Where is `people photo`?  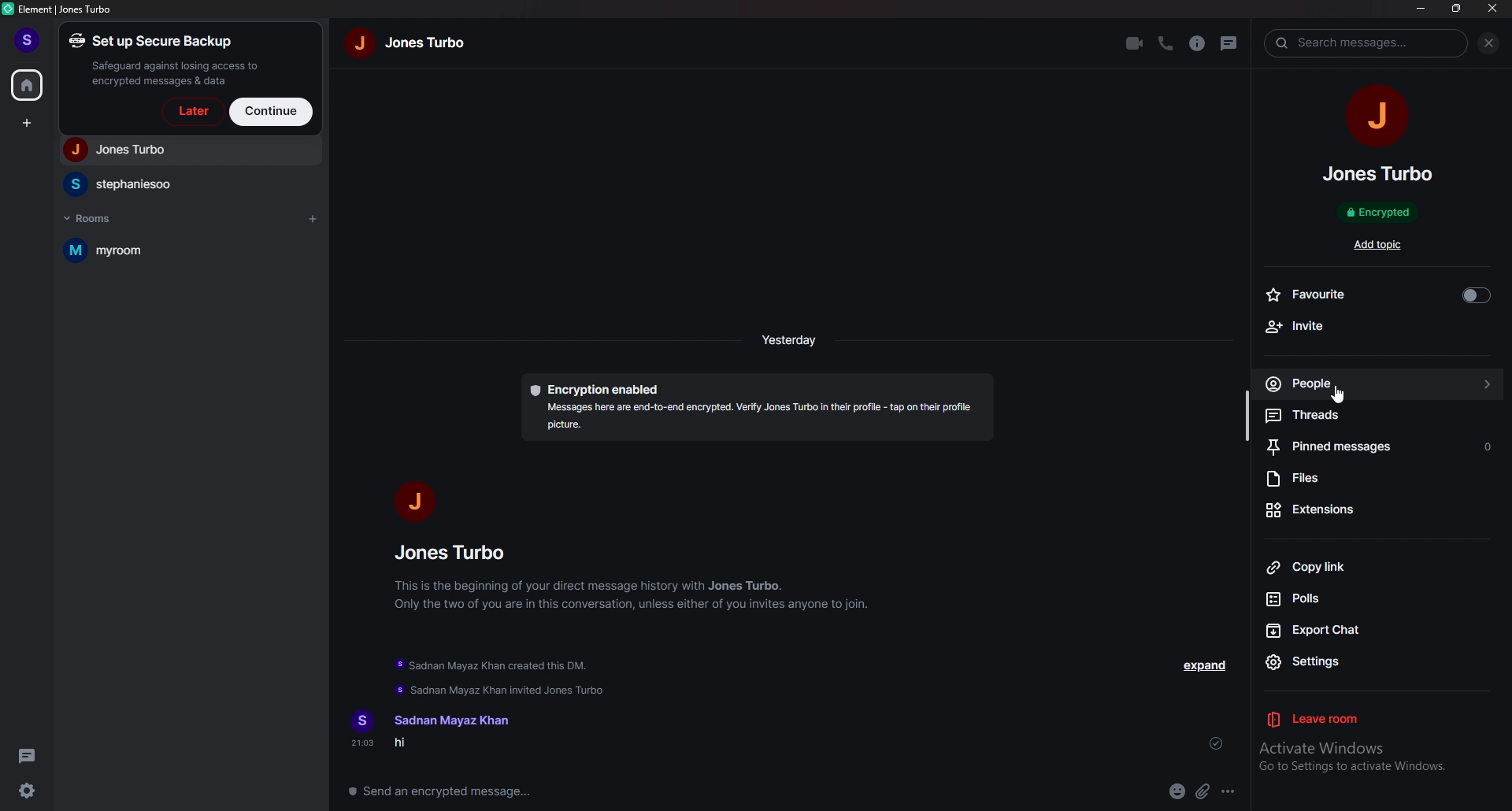
people photo is located at coordinates (1378, 114).